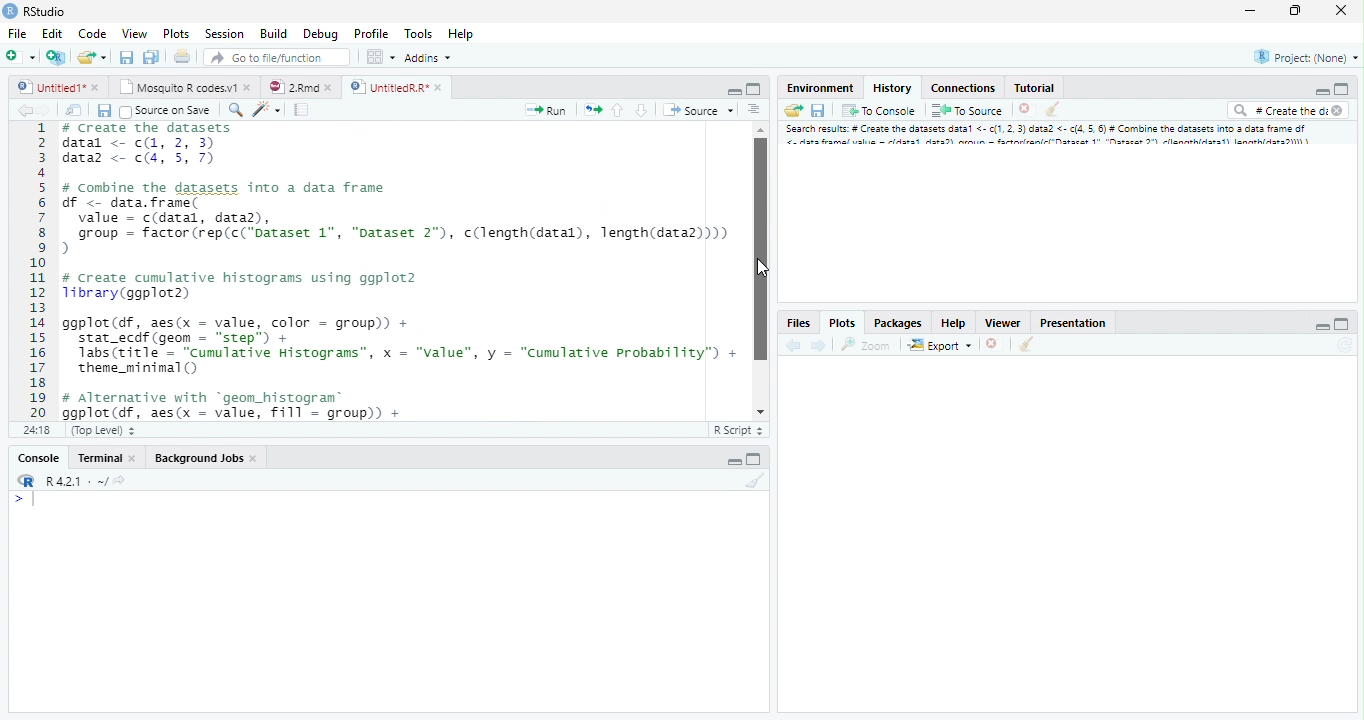  Describe the element at coordinates (165, 112) in the screenshot. I see `Source on Save` at that location.